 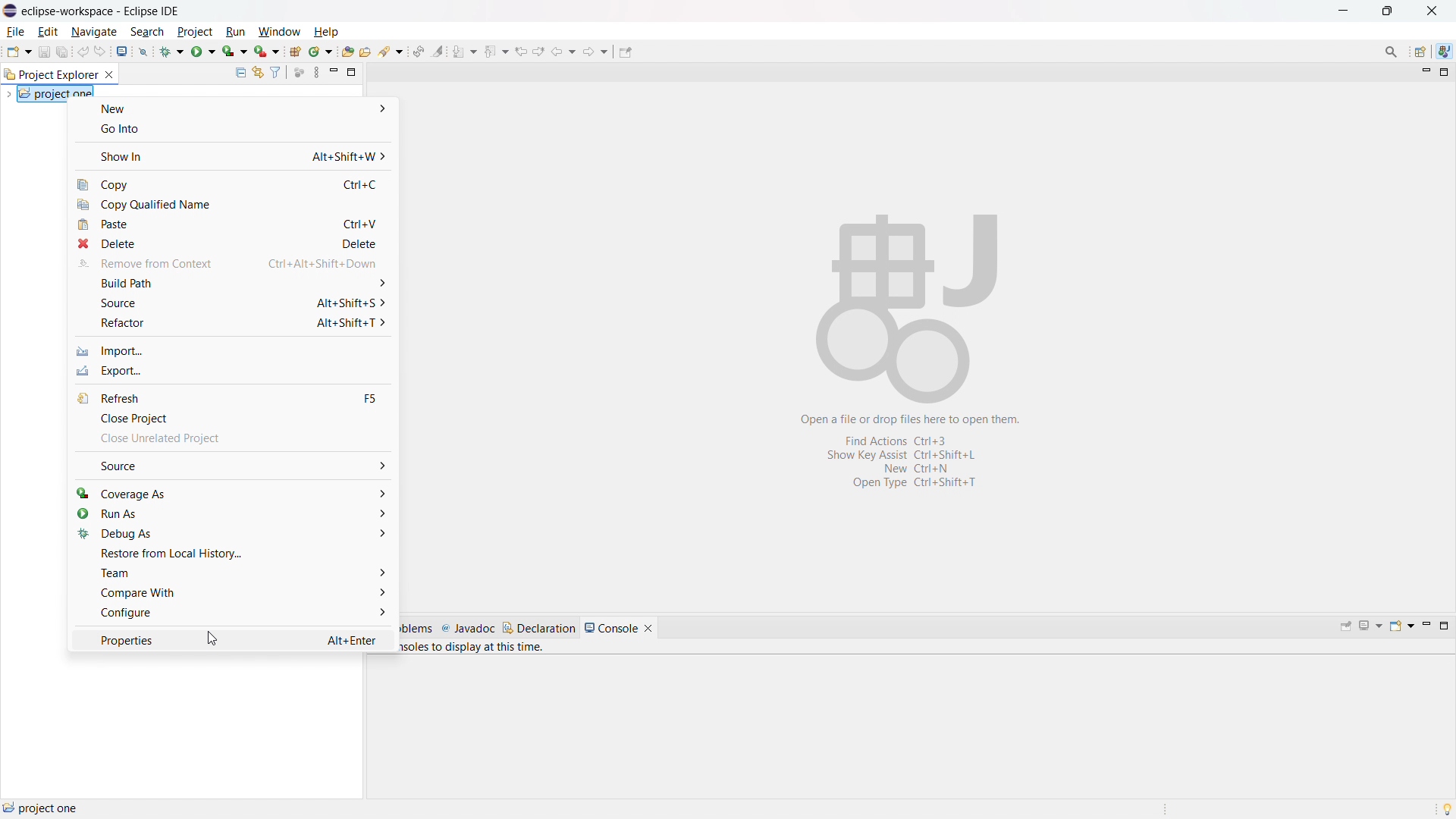 What do you see at coordinates (352, 71) in the screenshot?
I see `maximize` at bounding box center [352, 71].